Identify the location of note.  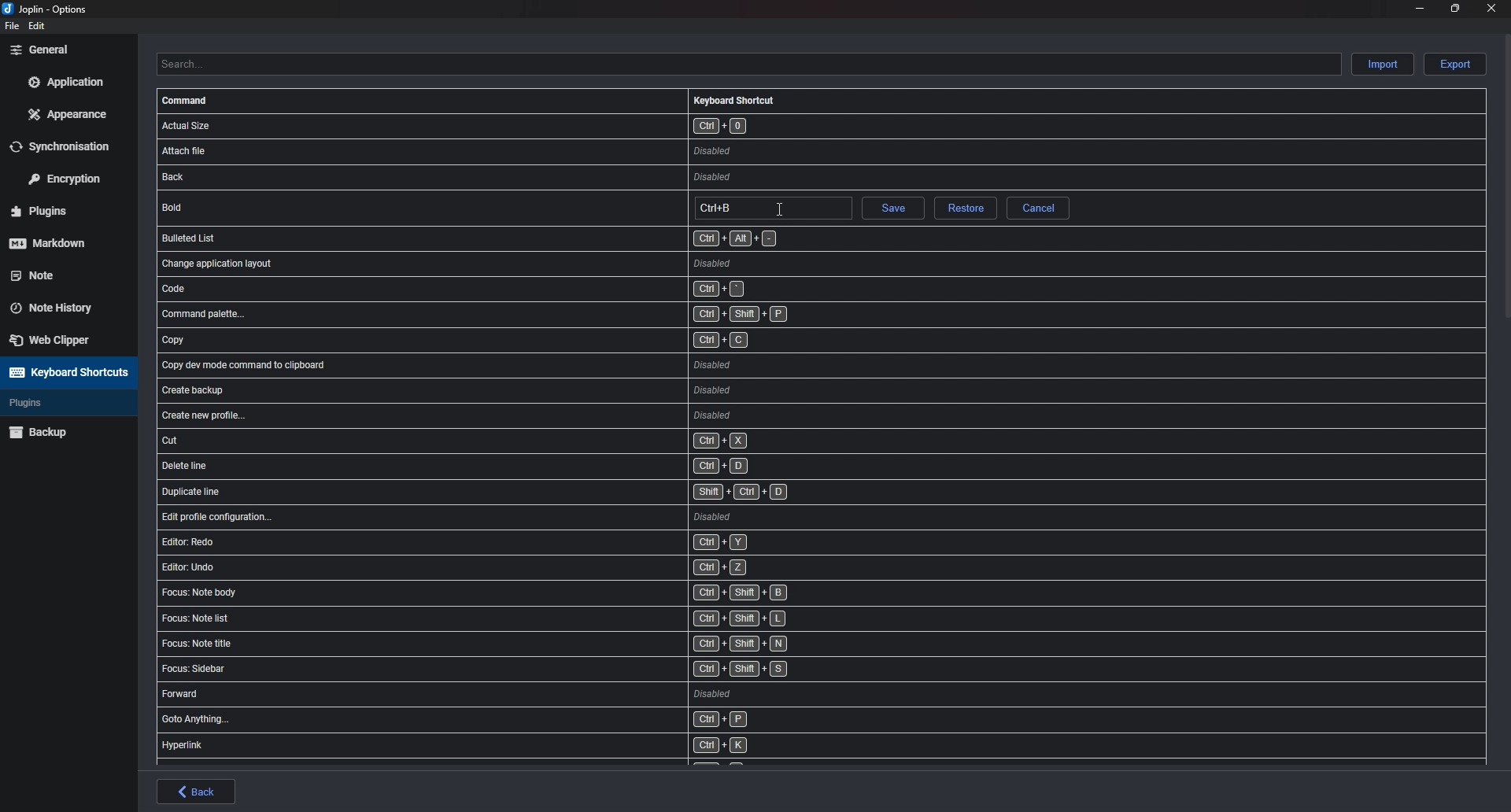
(59, 274).